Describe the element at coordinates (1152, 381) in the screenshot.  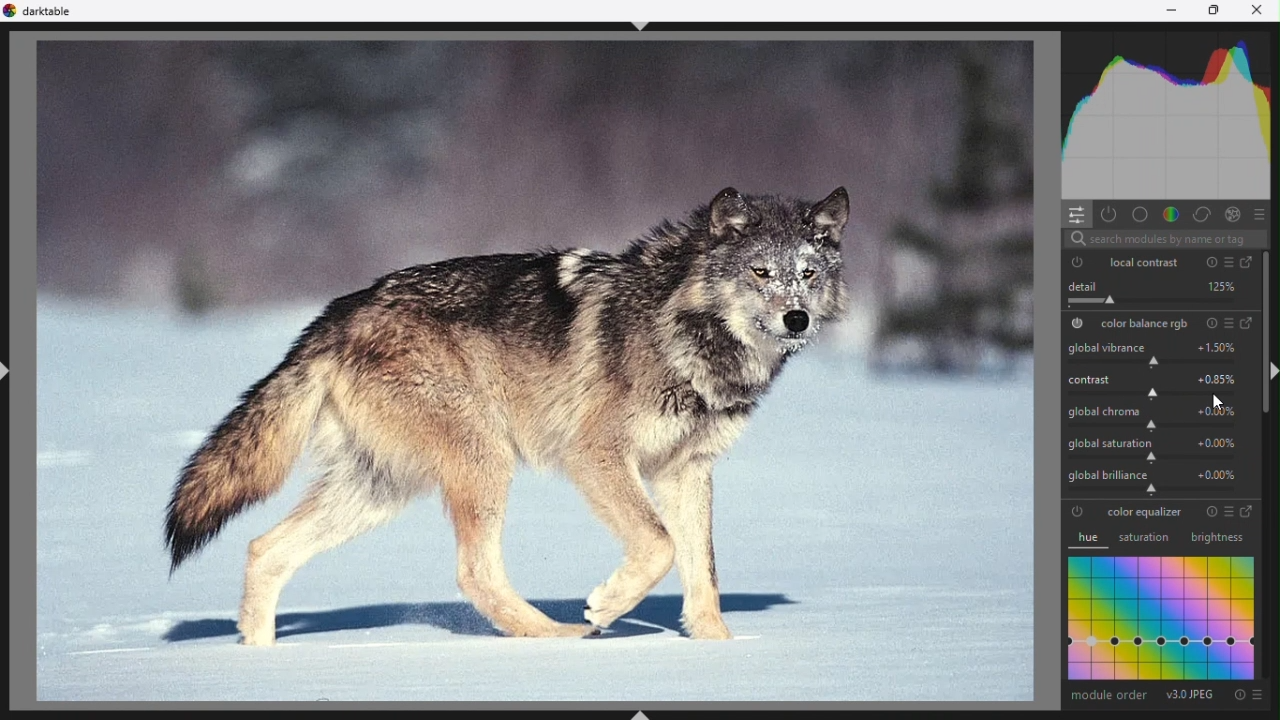
I see `contrast` at that location.